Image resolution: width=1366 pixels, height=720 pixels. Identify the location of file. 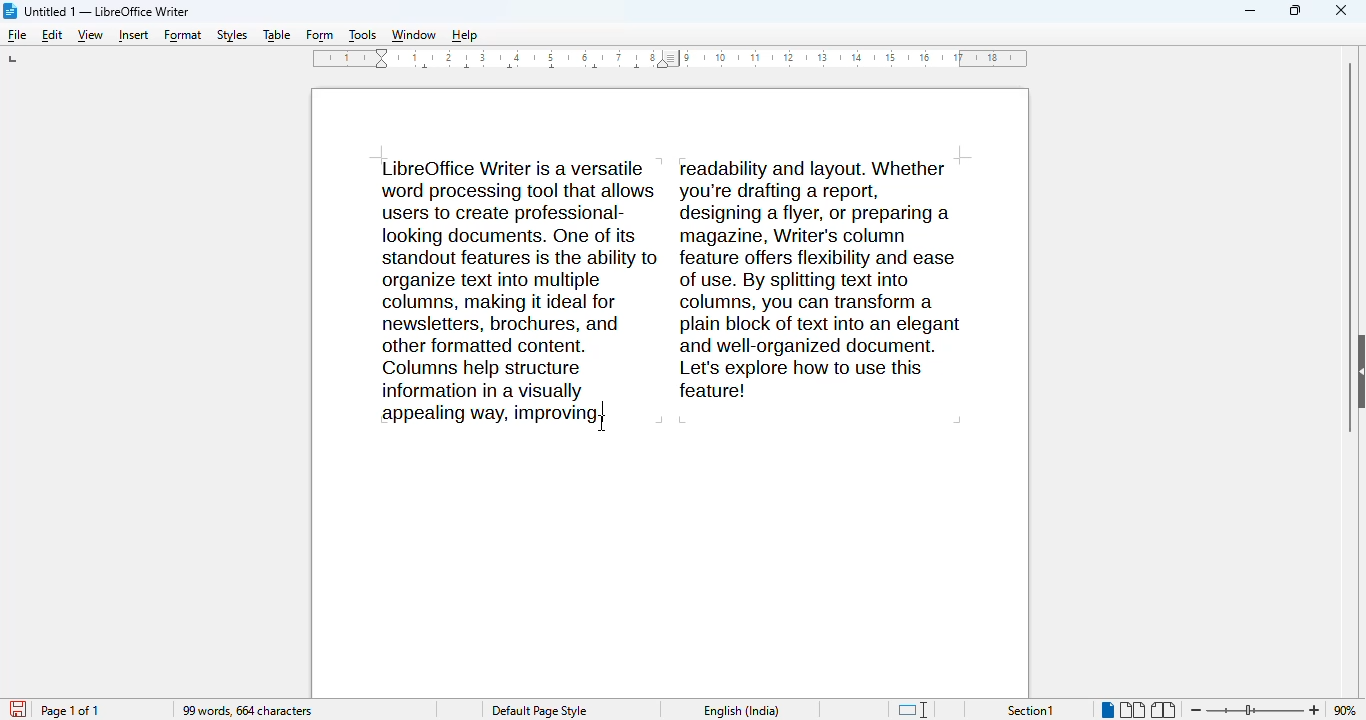
(16, 35).